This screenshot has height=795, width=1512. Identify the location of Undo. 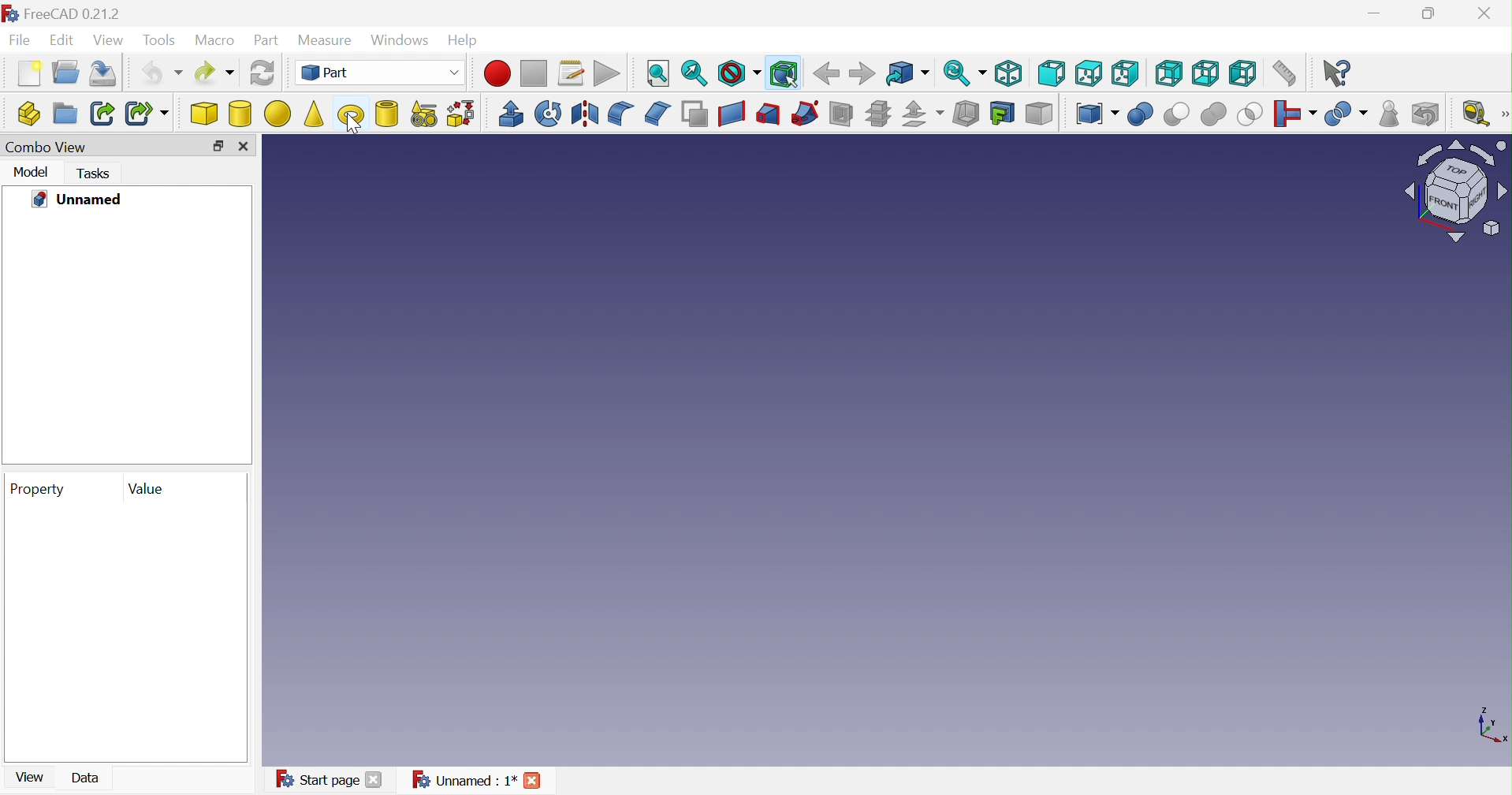
(158, 74).